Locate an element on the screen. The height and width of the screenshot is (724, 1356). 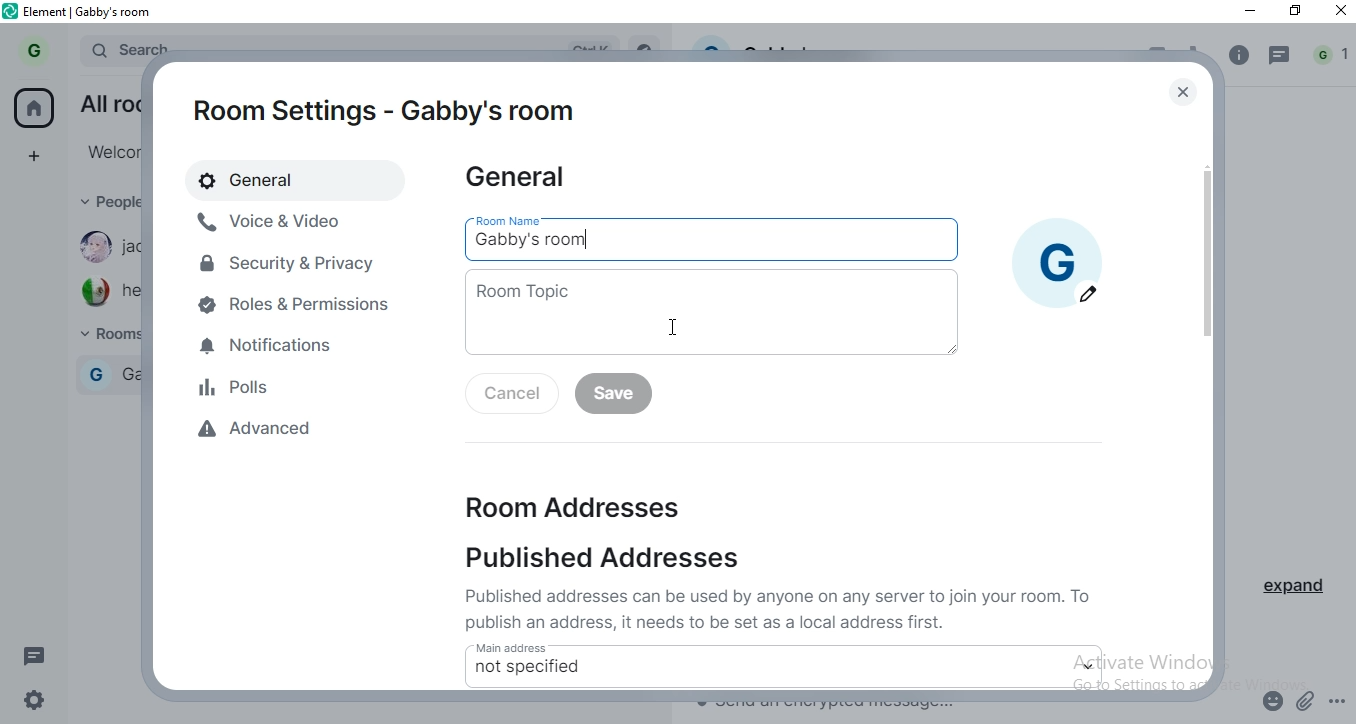
attachment is located at coordinates (1307, 700).